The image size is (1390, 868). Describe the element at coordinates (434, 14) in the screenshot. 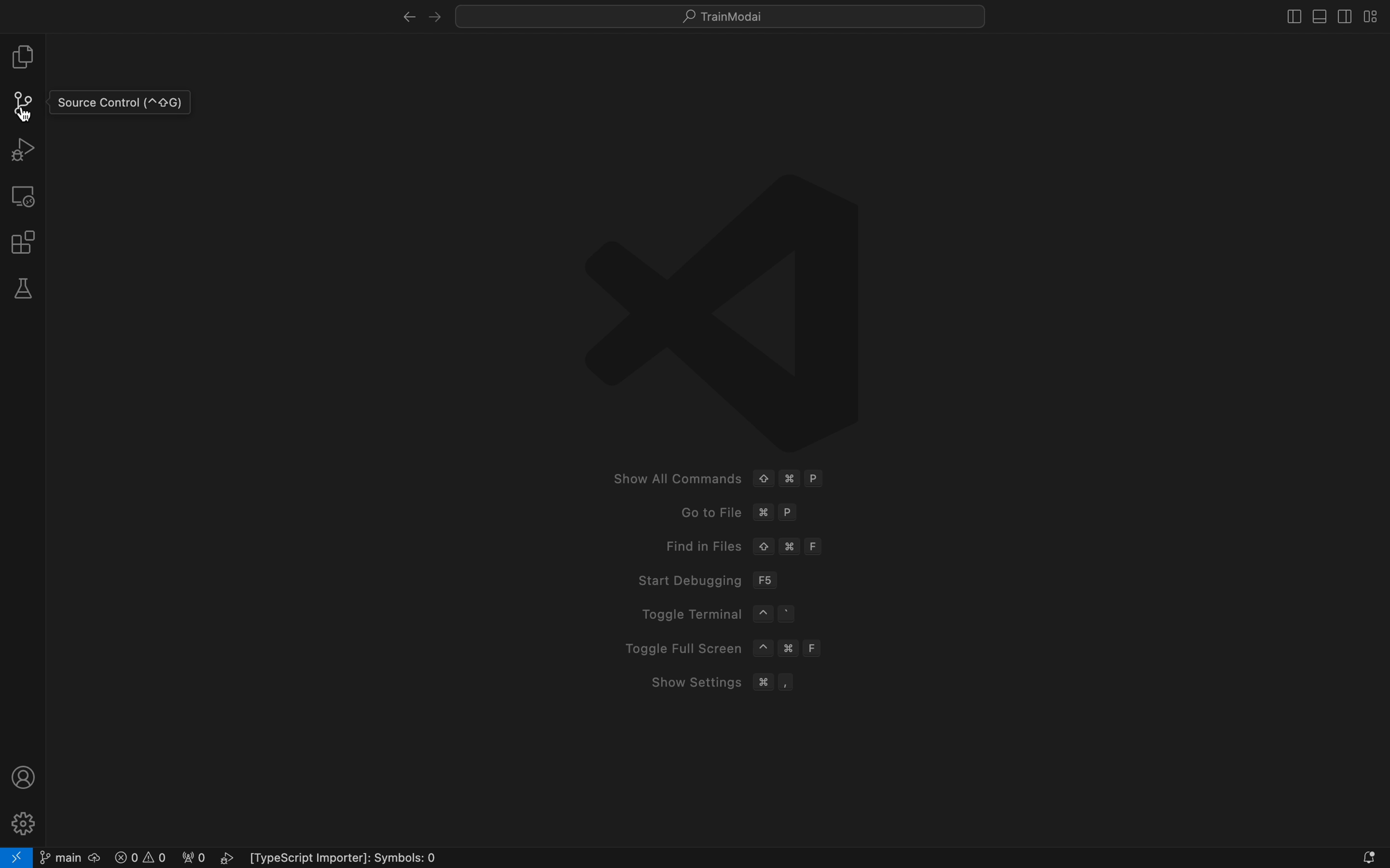

I see `left arrow` at that location.